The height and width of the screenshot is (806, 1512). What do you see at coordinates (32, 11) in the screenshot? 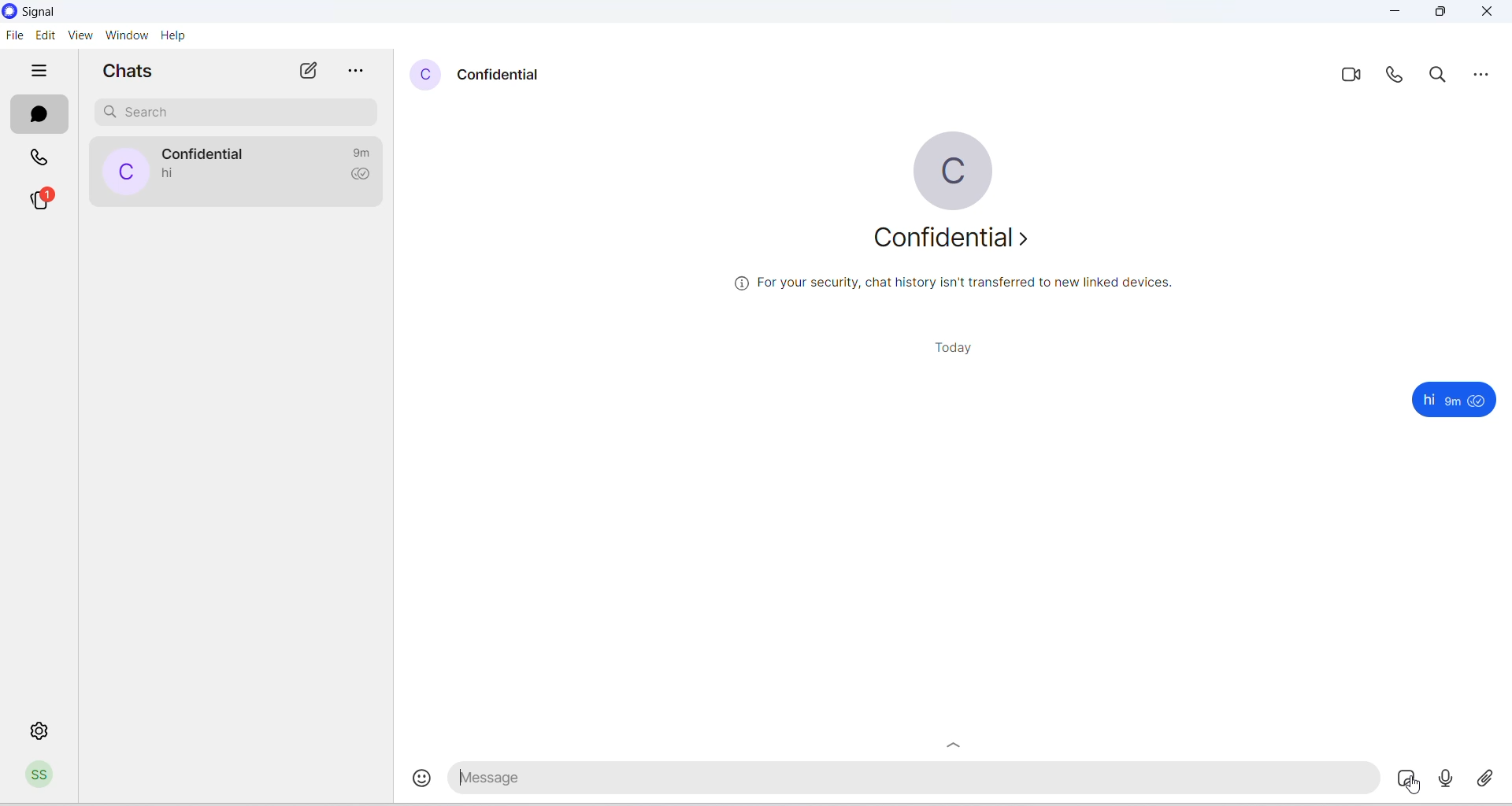
I see `Signal logo` at bounding box center [32, 11].